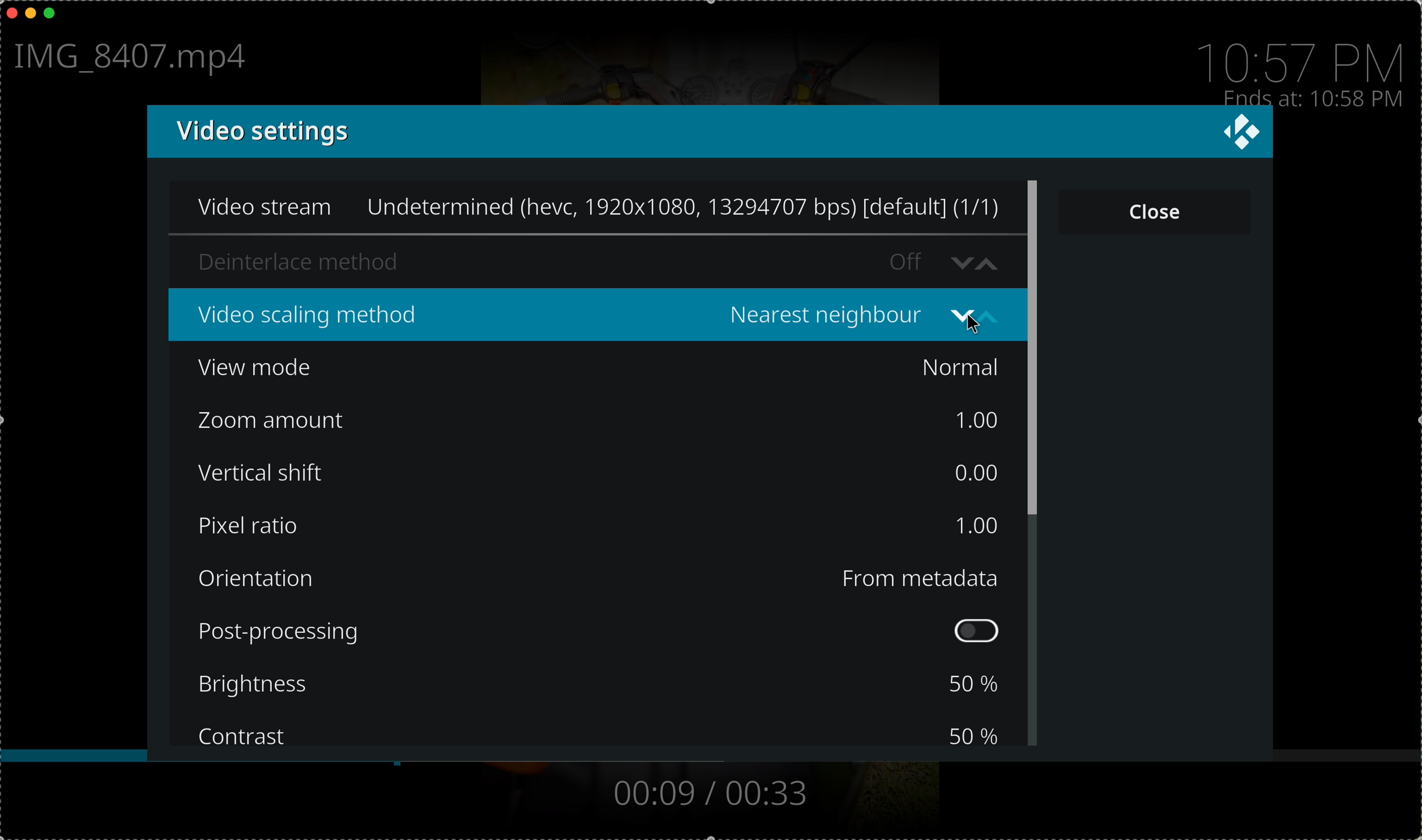  I want to click on close, so click(1155, 209).